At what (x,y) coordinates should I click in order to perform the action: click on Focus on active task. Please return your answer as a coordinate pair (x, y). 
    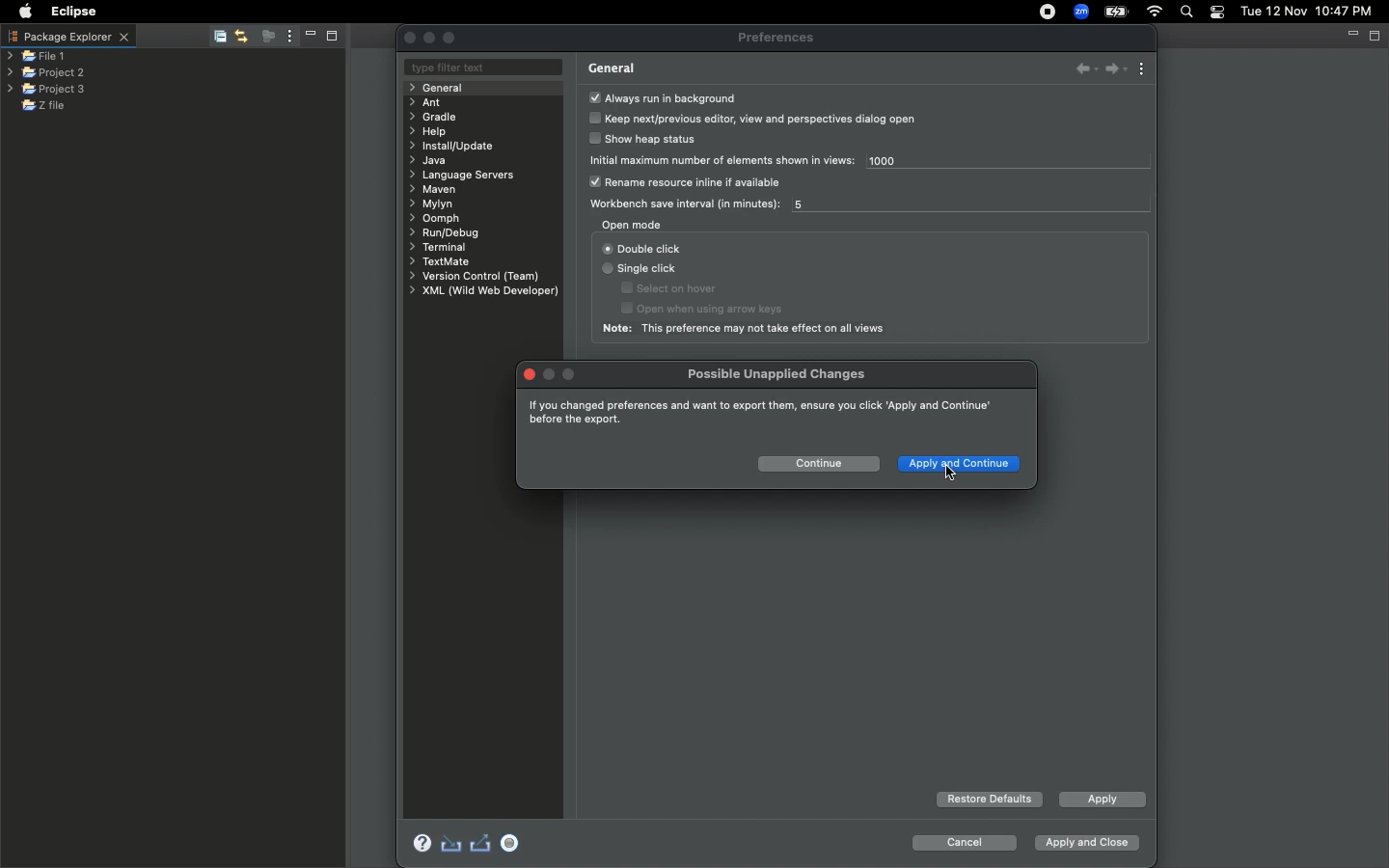
    Looking at the image, I should click on (267, 36).